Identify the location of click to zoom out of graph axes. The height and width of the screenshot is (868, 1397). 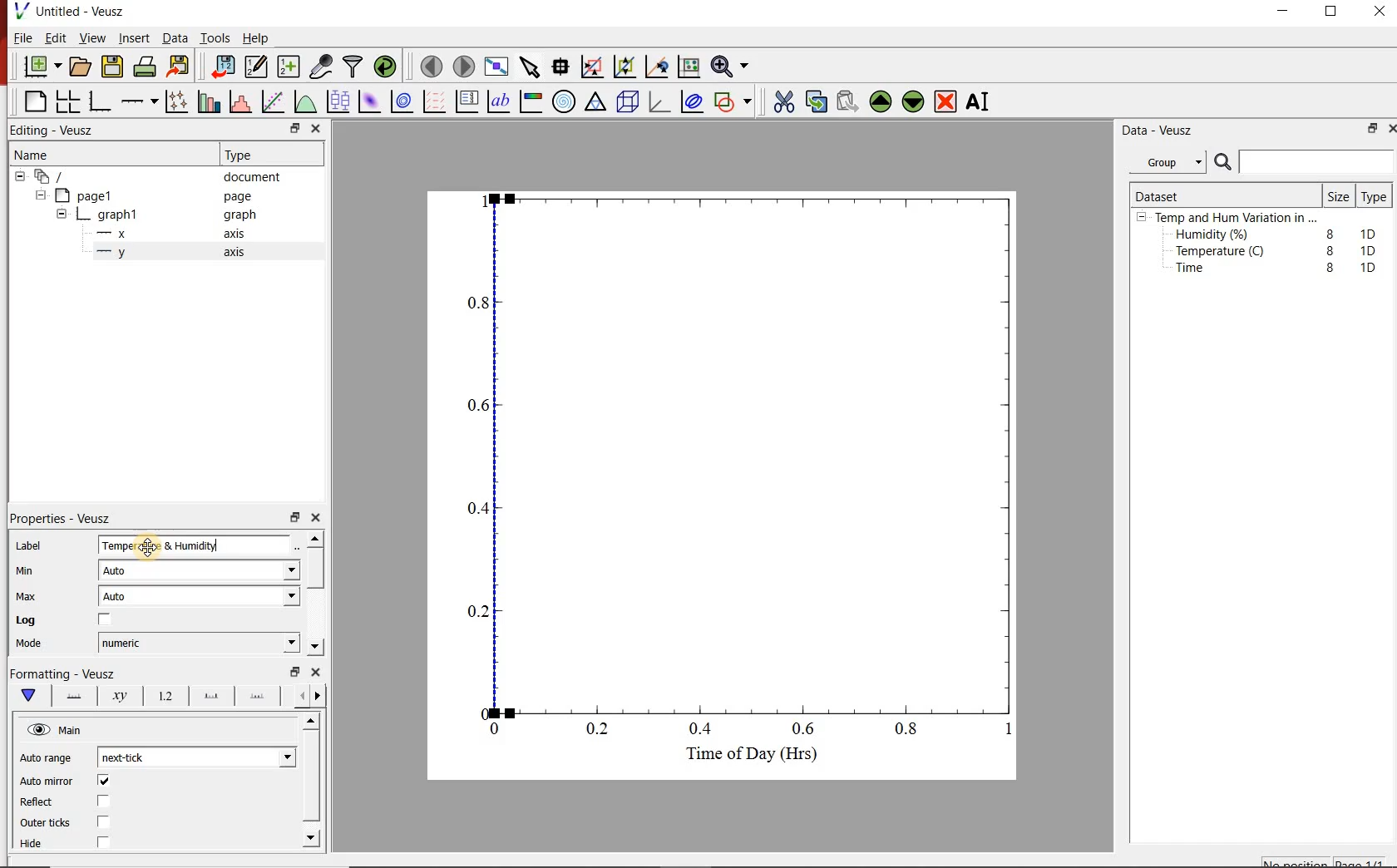
(625, 68).